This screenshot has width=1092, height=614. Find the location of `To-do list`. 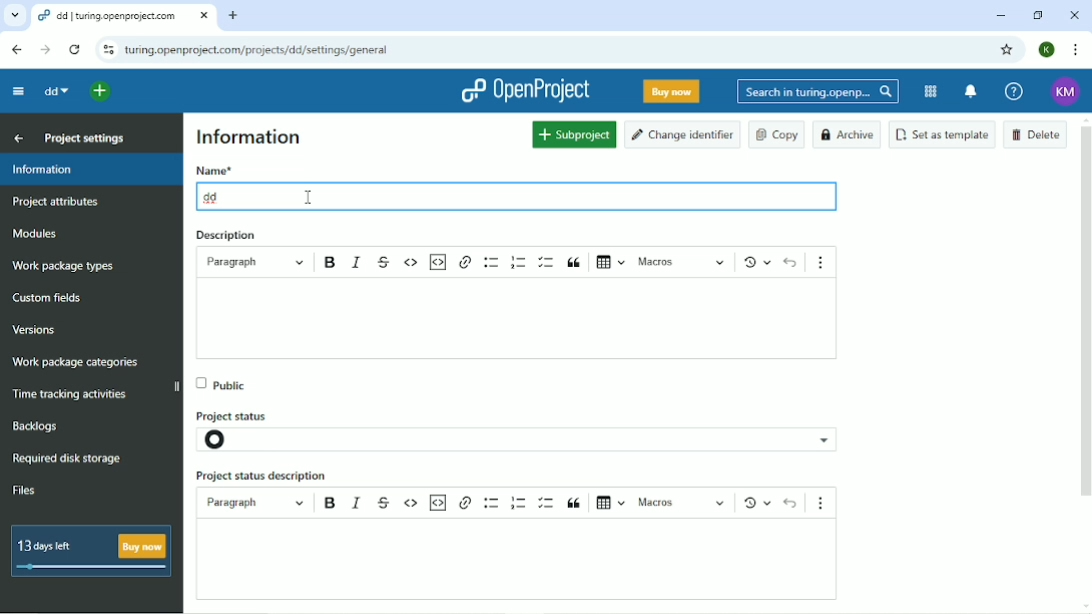

To-do list is located at coordinates (549, 262).